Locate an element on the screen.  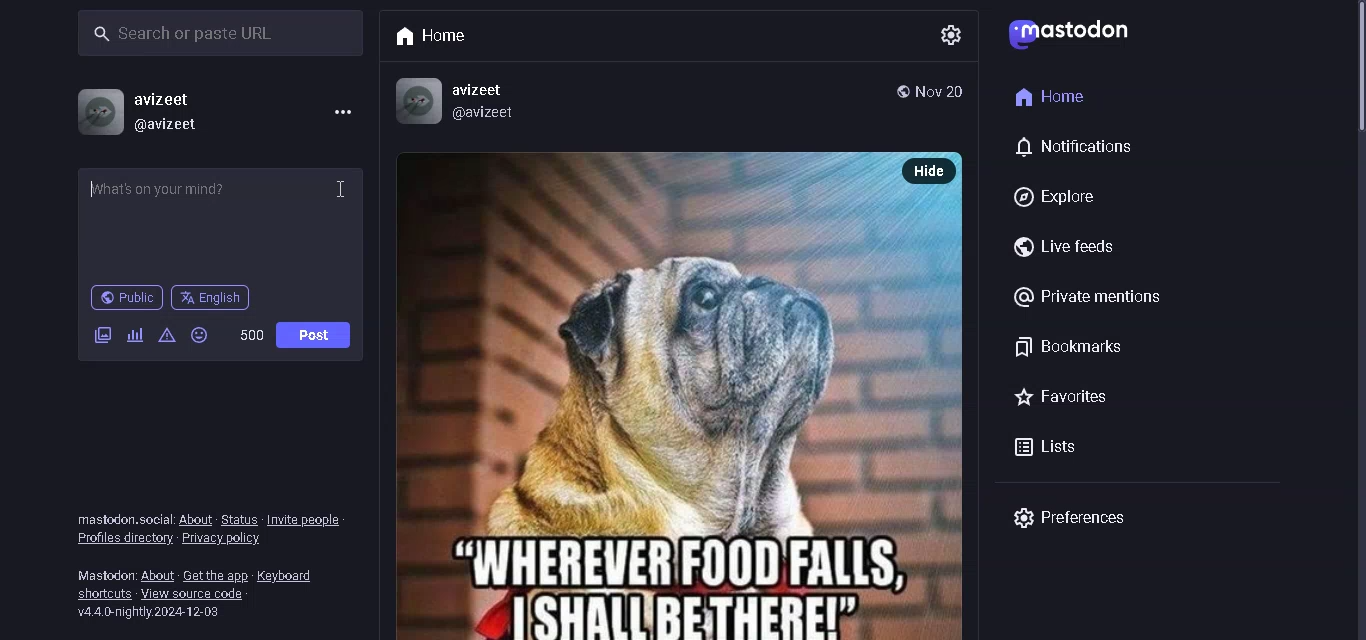
emojis is located at coordinates (197, 334).